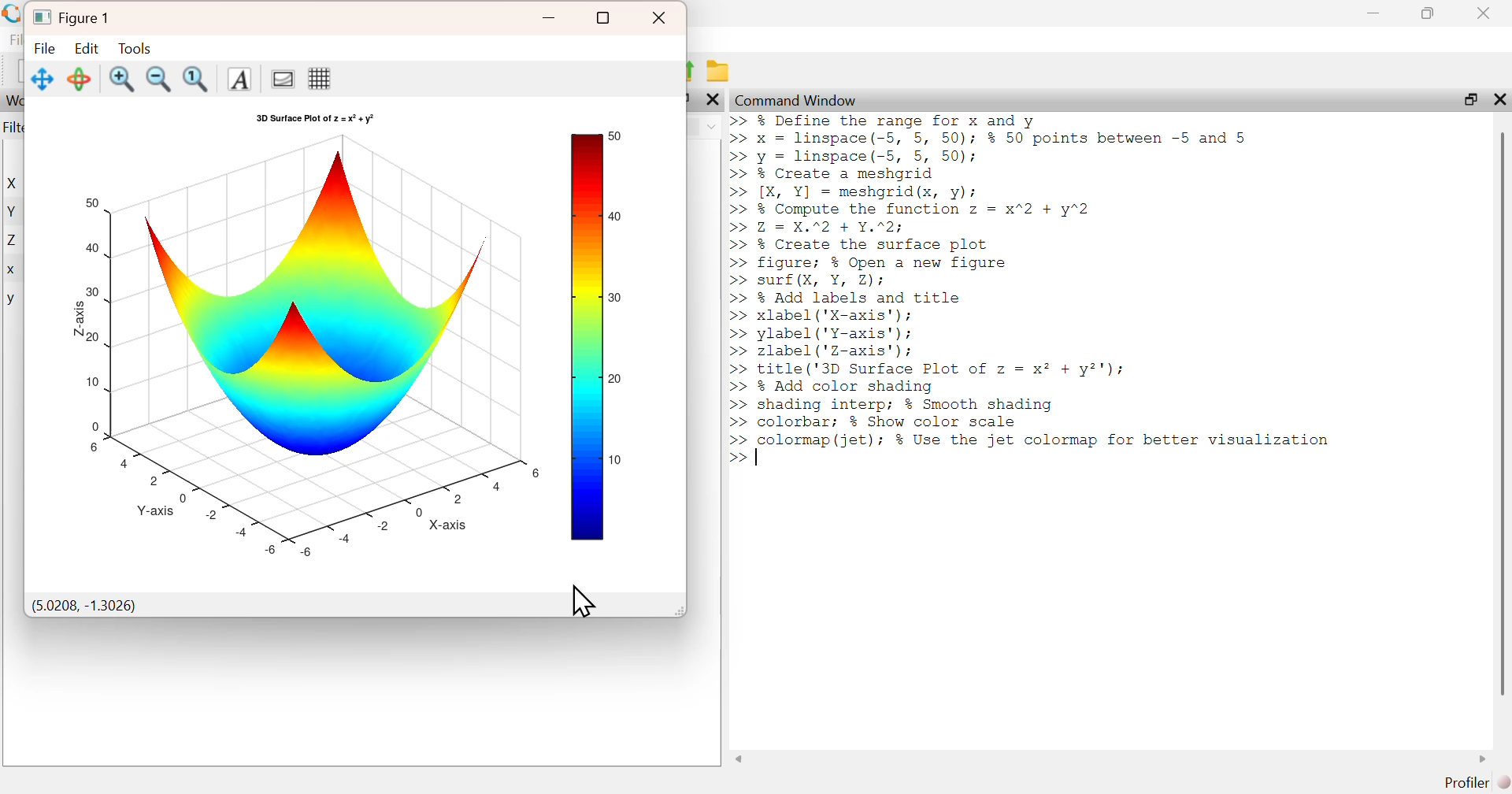 The width and height of the screenshot is (1512, 794). What do you see at coordinates (550, 18) in the screenshot?
I see `minimize` at bounding box center [550, 18].